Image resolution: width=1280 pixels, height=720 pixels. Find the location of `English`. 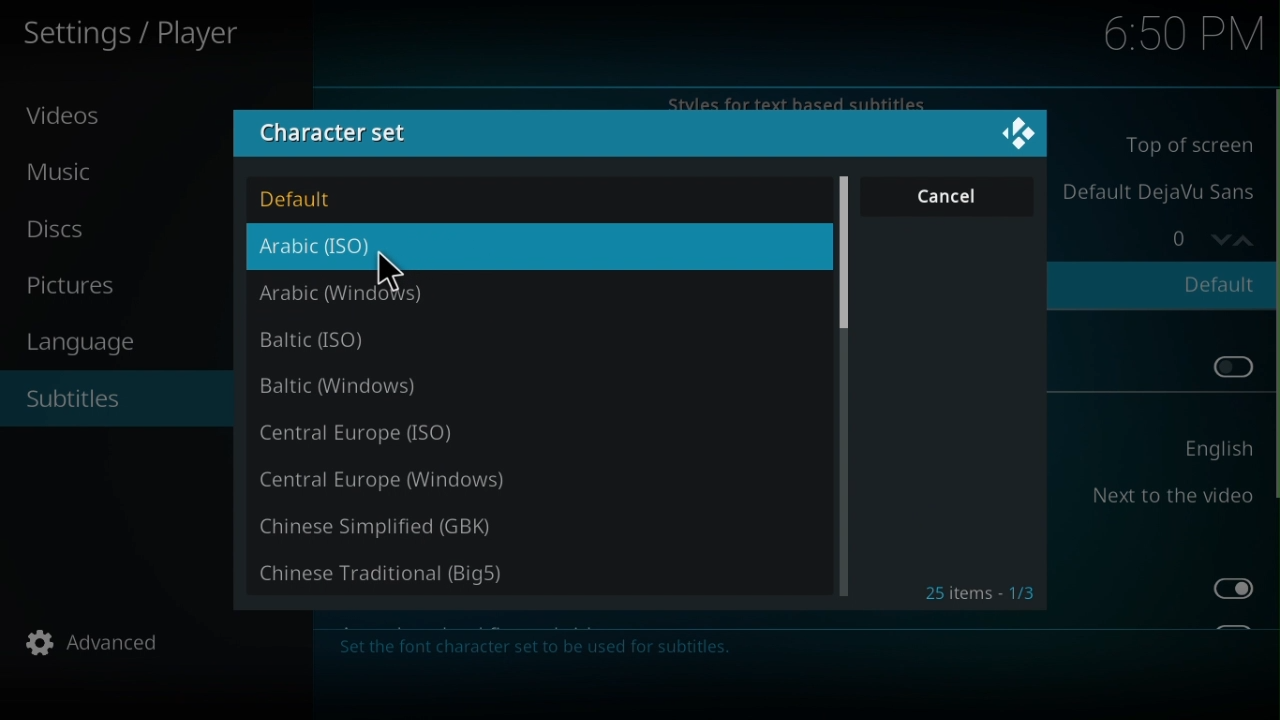

English is located at coordinates (1208, 450).